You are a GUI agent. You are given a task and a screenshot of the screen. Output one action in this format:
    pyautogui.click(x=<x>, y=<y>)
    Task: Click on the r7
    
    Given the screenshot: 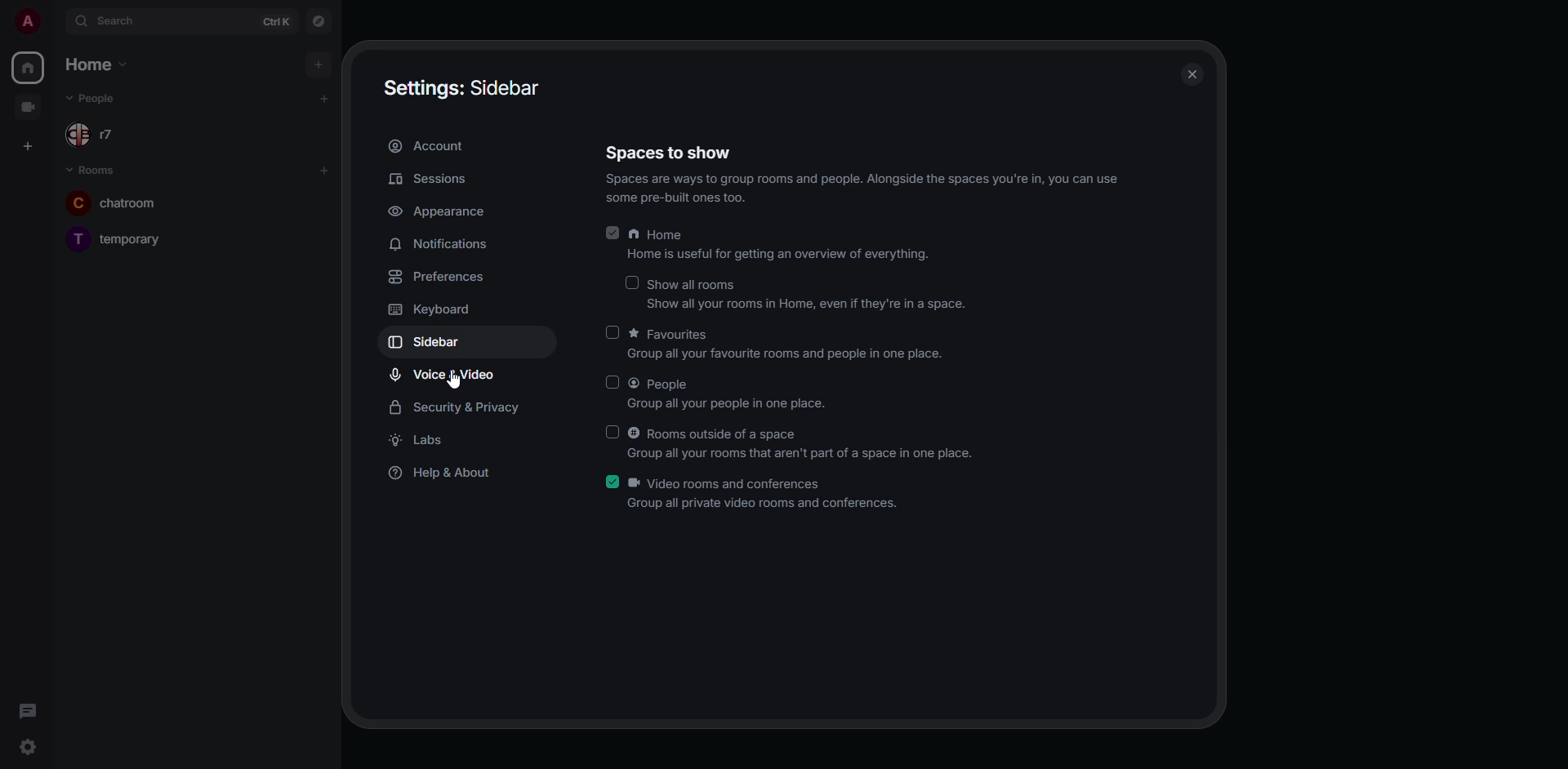 What is the action you would take?
    pyautogui.click(x=90, y=137)
    